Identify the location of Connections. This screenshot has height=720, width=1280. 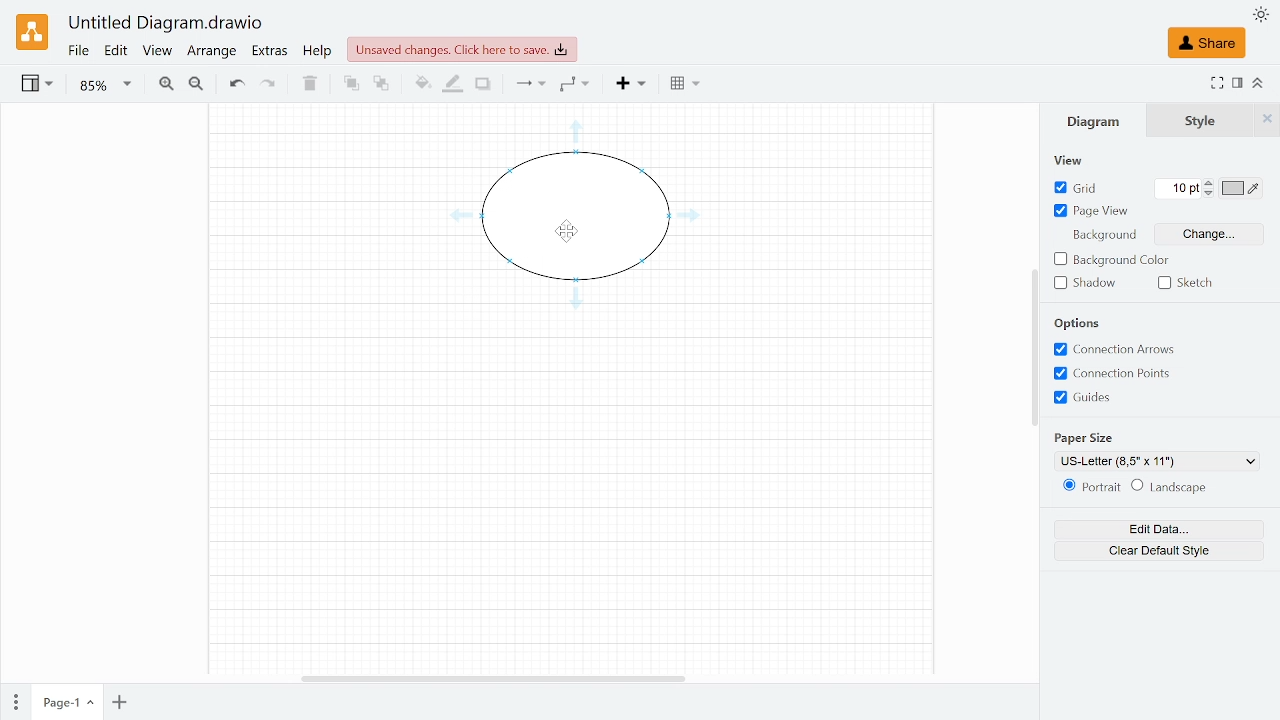
(529, 85).